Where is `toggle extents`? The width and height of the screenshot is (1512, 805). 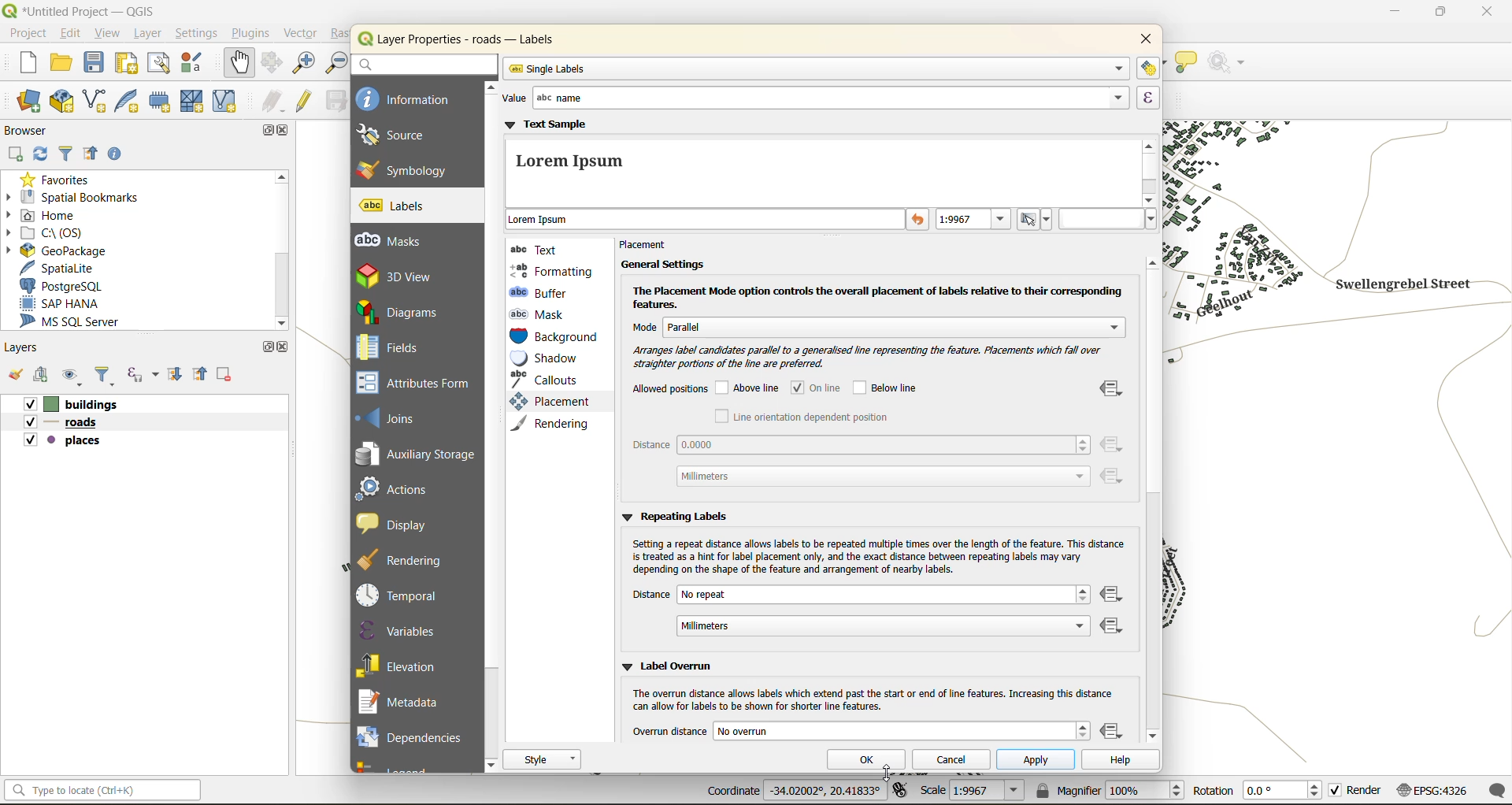 toggle extents is located at coordinates (900, 788).